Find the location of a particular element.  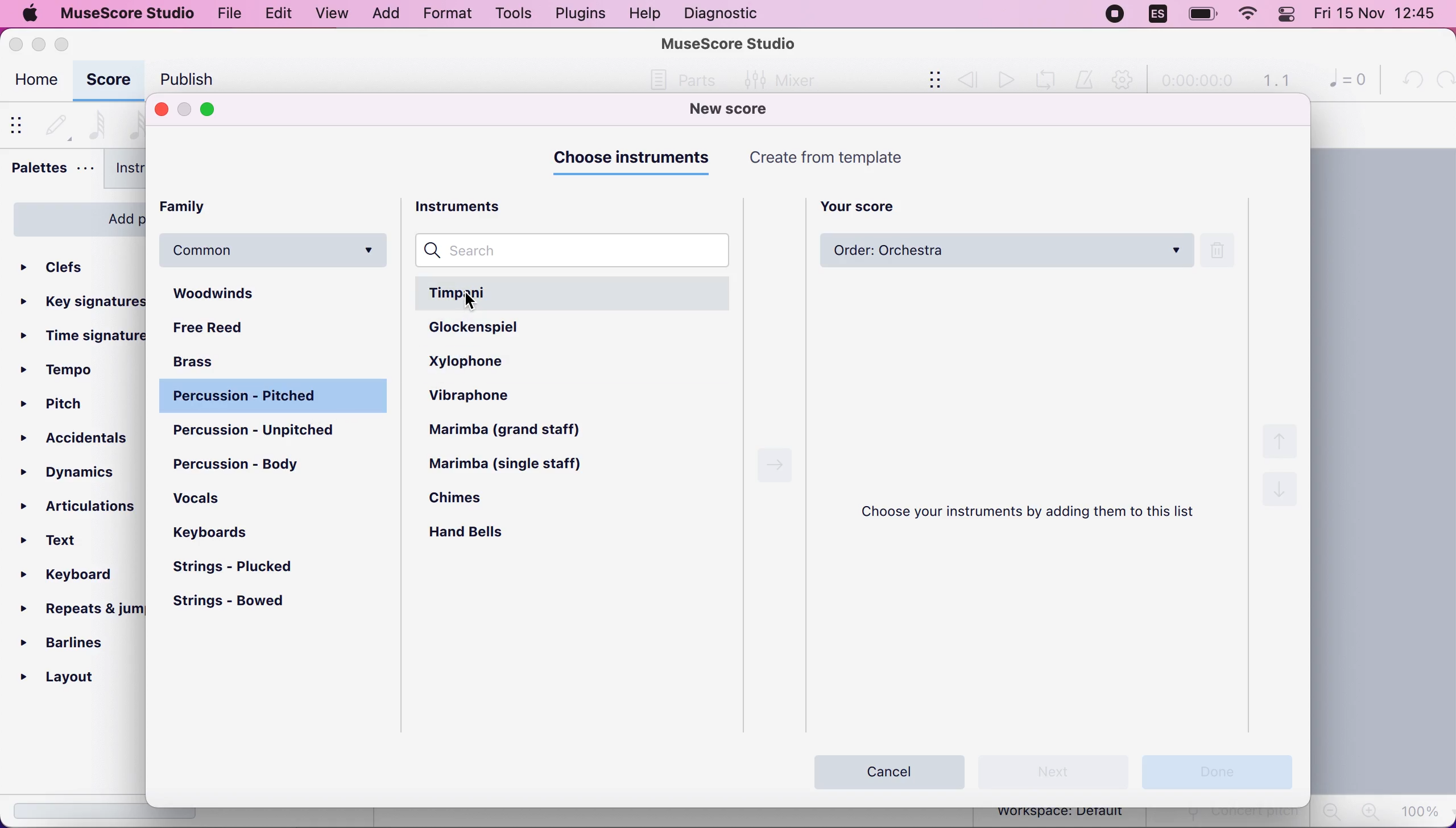

ime signatures is located at coordinates (84, 337).